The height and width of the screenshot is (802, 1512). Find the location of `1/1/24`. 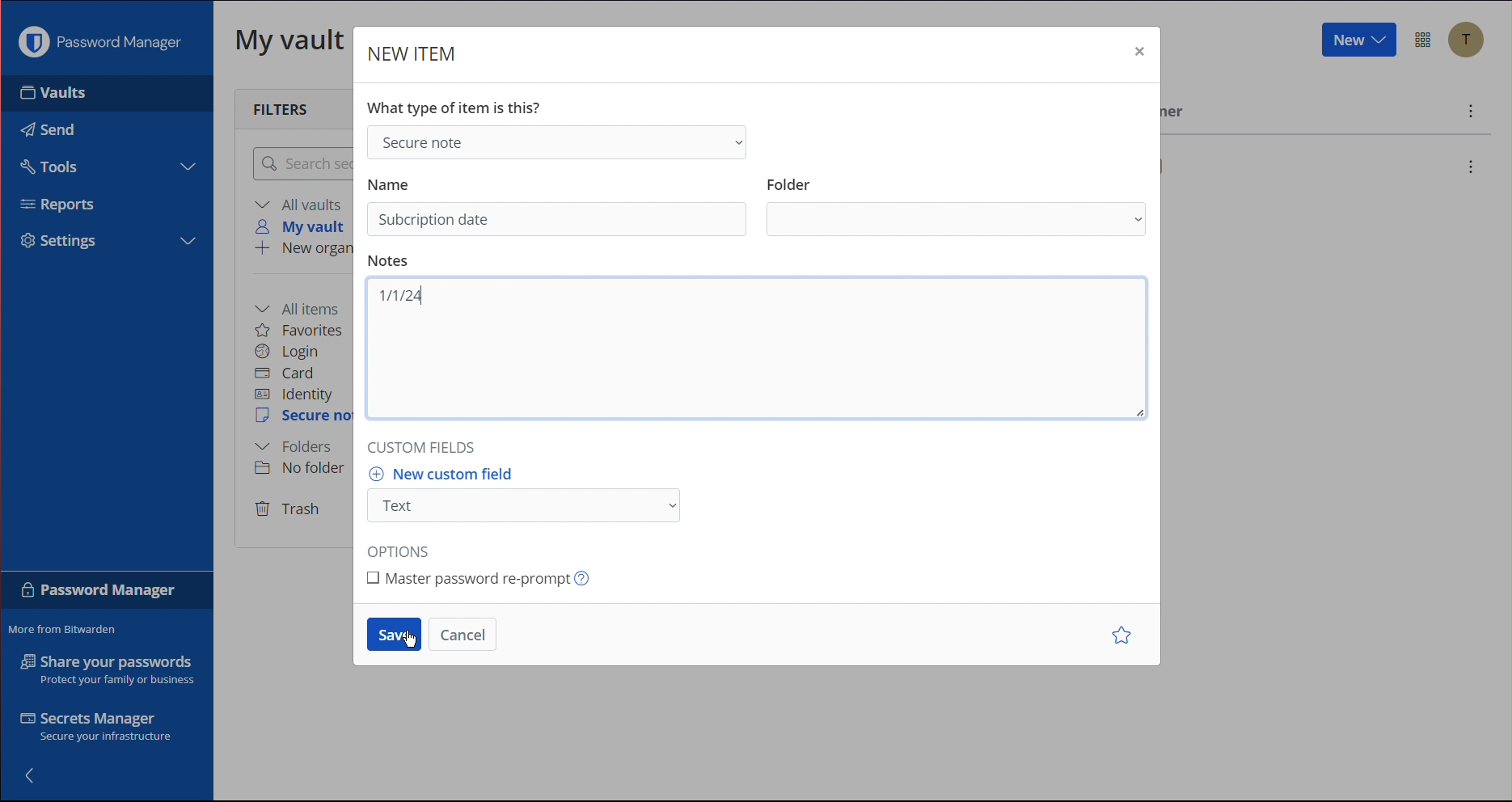

1/1/24 is located at coordinates (399, 296).